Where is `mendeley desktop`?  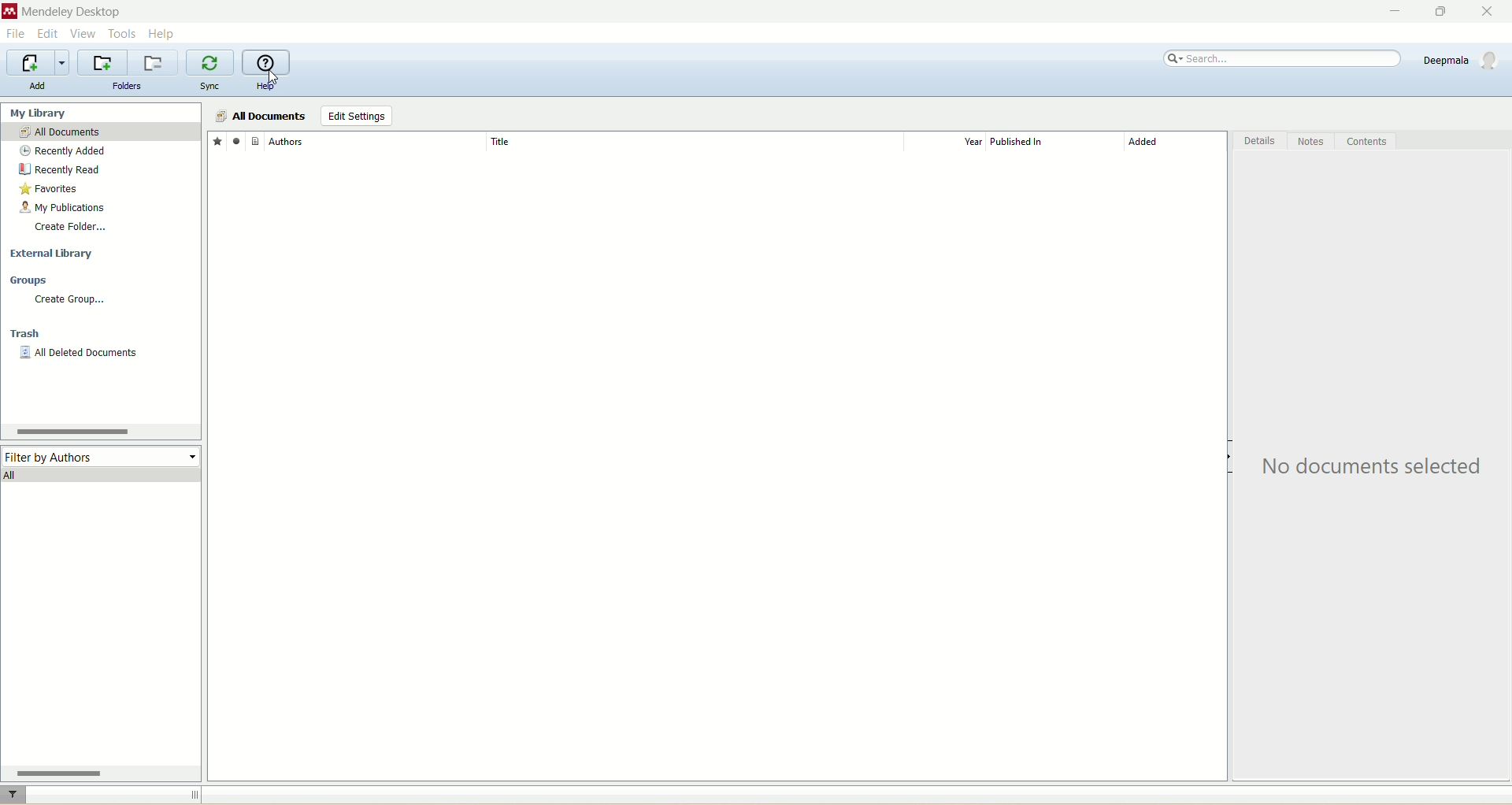 mendeley desktop is located at coordinates (71, 12).